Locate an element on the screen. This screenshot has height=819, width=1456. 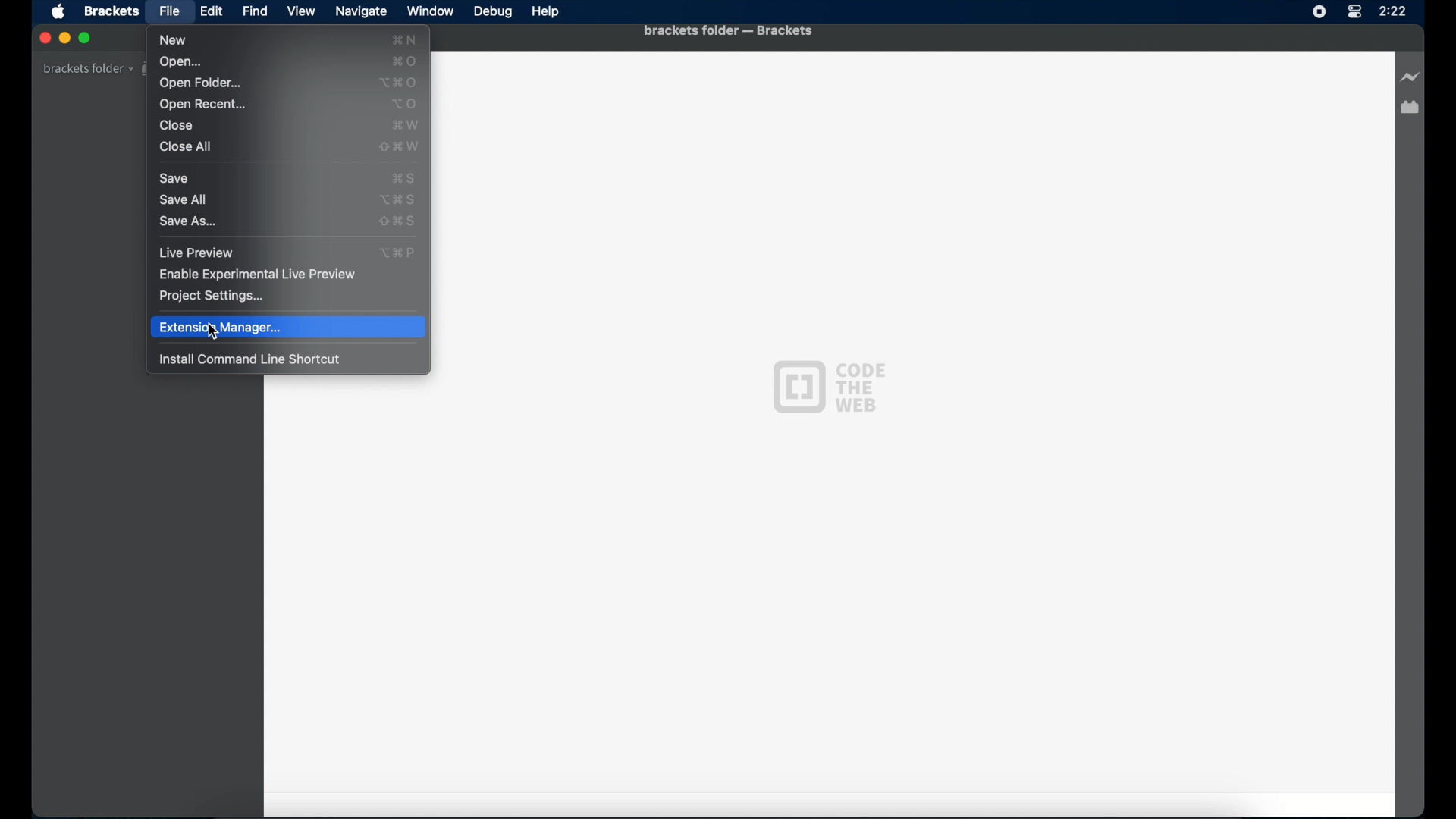
new is located at coordinates (172, 40).